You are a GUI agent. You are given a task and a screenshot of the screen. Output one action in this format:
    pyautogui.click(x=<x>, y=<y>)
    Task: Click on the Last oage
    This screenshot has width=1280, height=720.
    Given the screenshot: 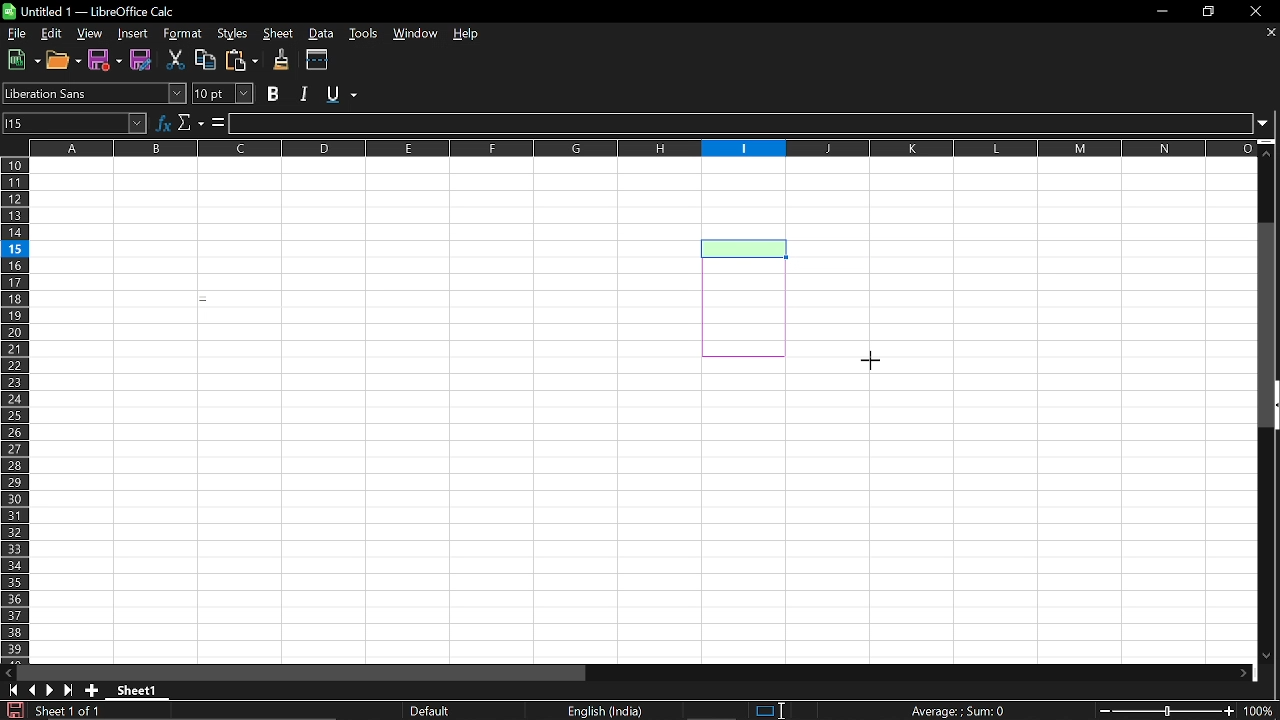 What is the action you would take?
    pyautogui.click(x=70, y=691)
    